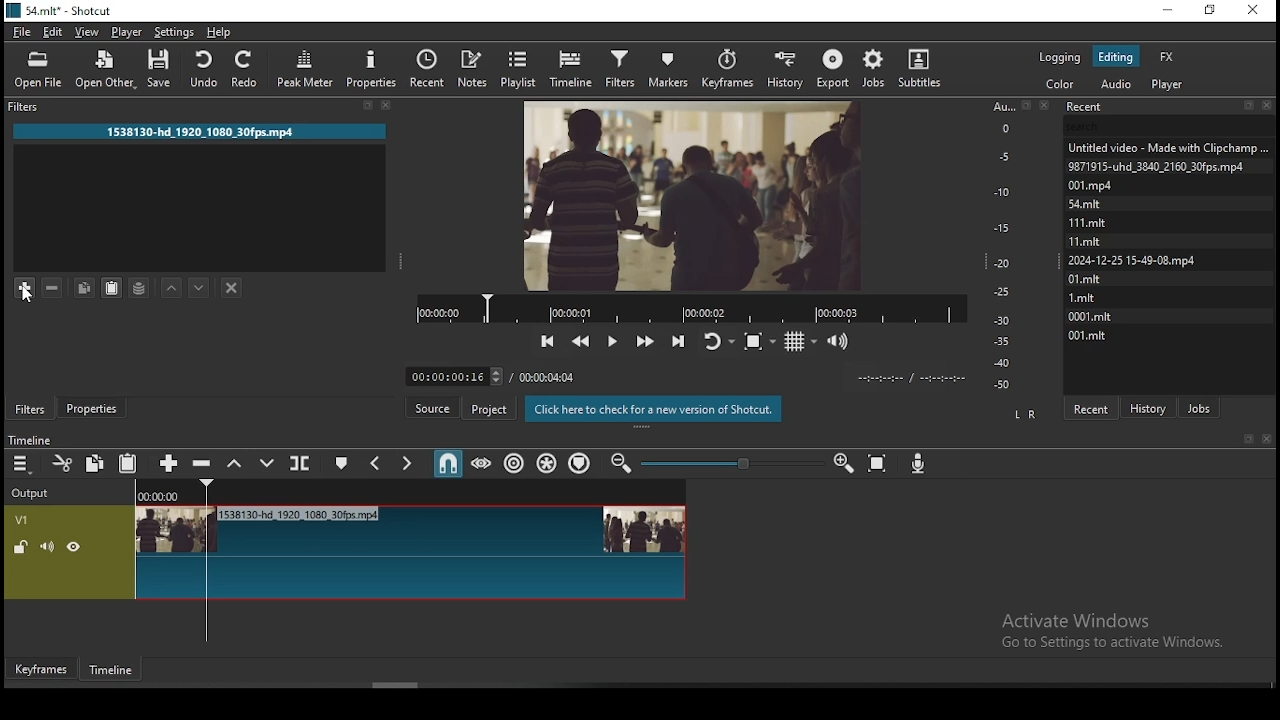  Describe the element at coordinates (375, 463) in the screenshot. I see `previous marker` at that location.